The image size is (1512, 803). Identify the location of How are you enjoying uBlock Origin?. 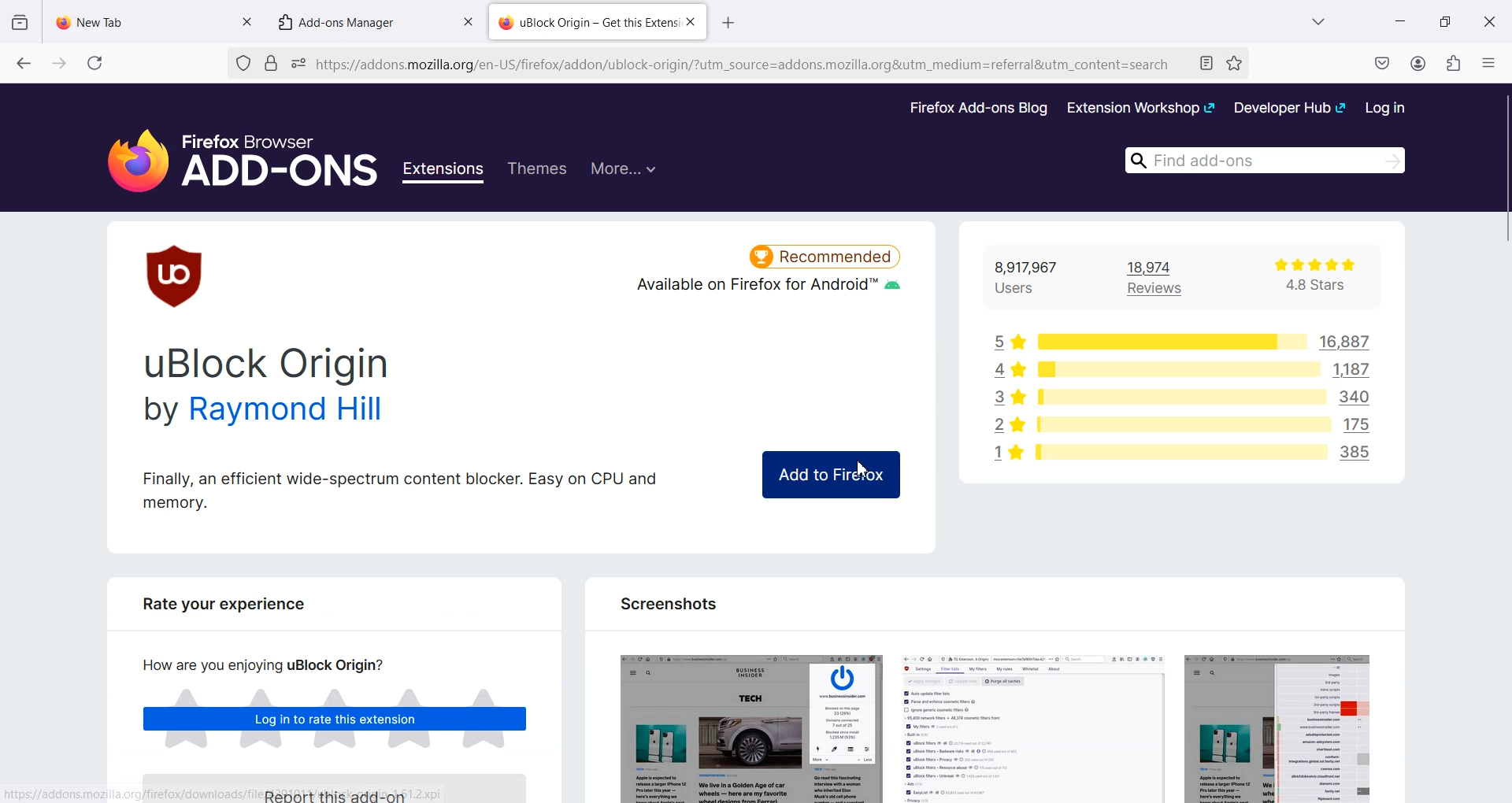
(257, 664).